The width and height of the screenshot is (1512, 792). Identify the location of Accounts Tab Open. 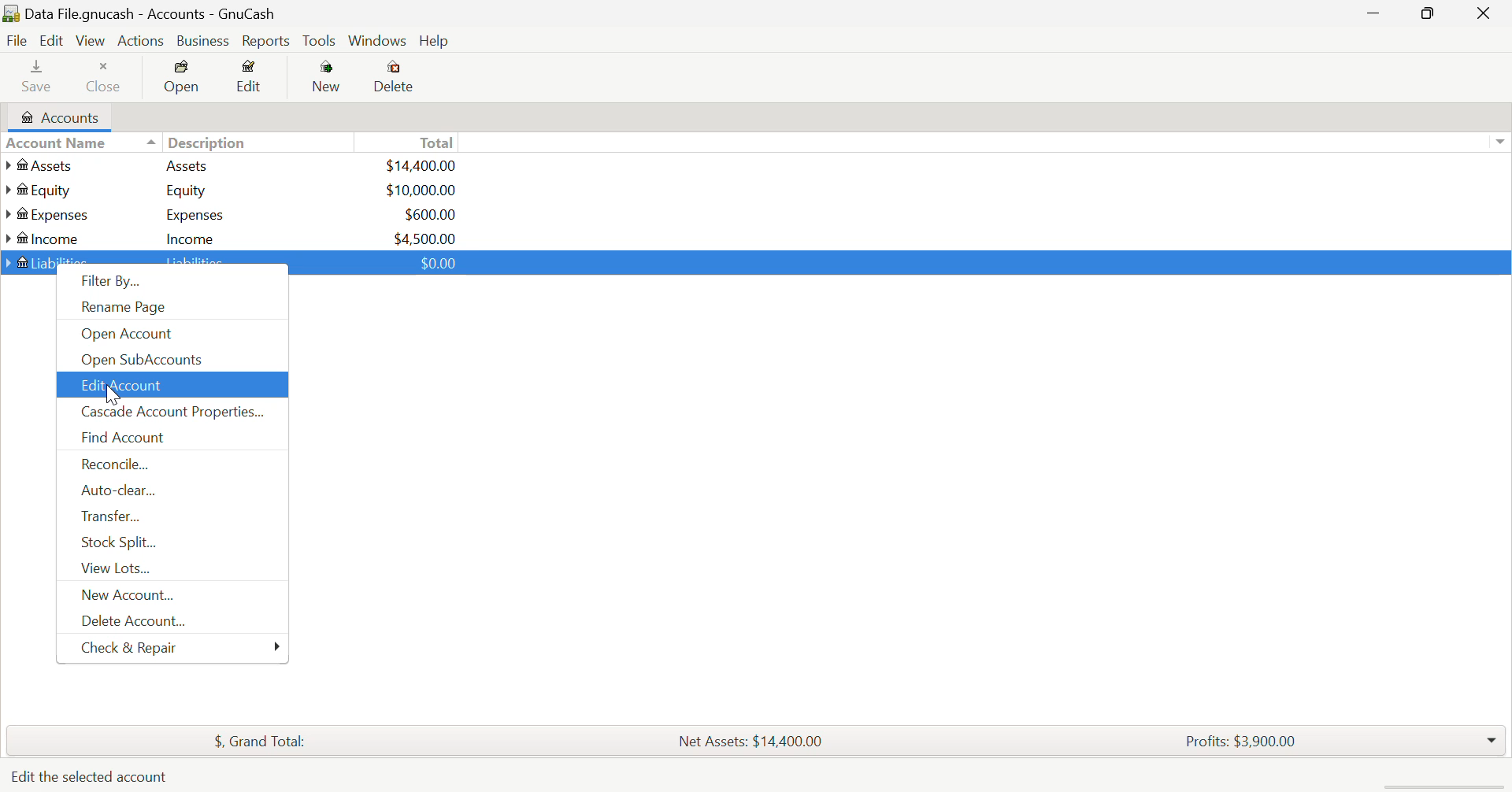
(65, 117).